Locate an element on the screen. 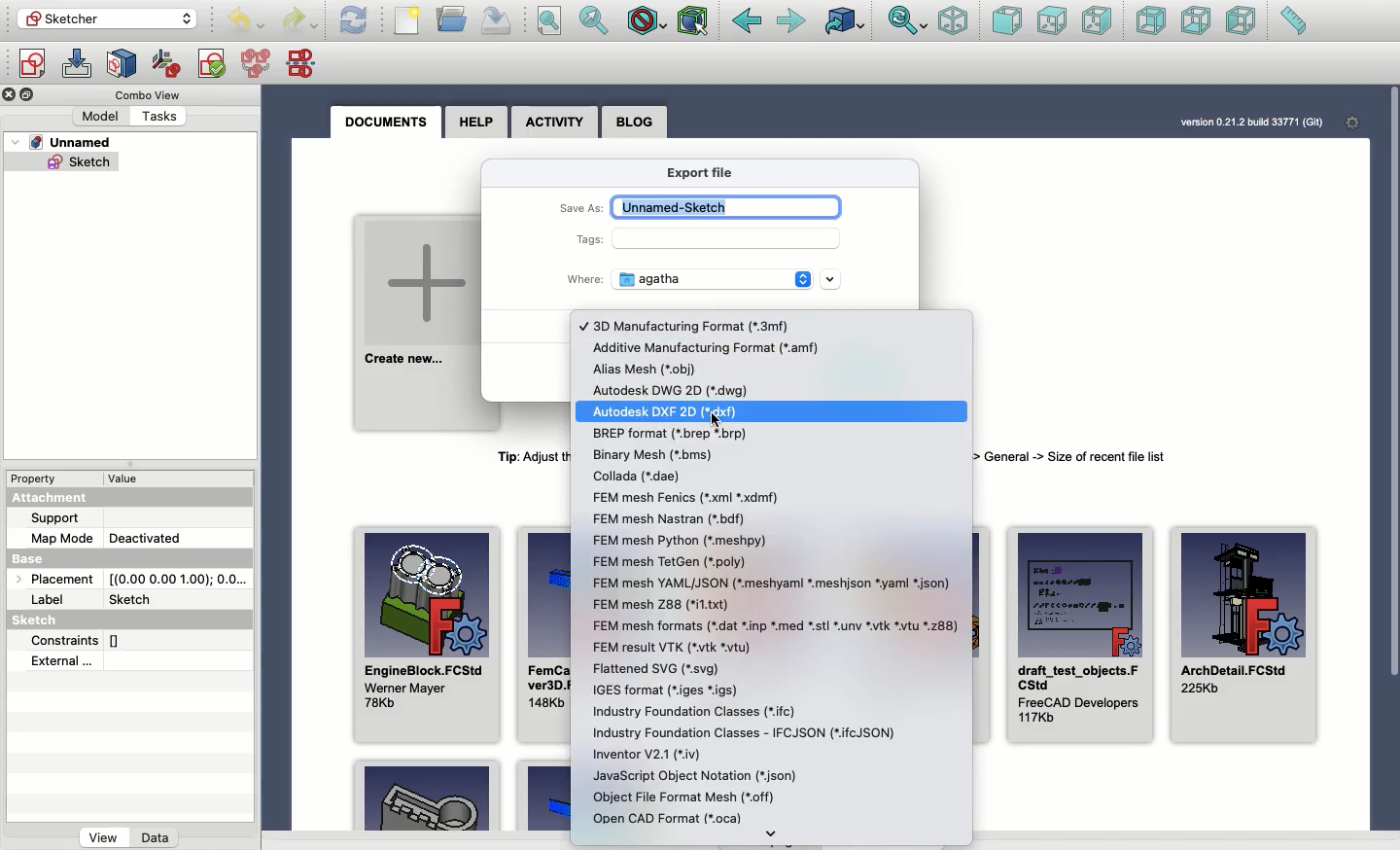 Image resolution: width=1400 pixels, height=850 pixels. Sketch is located at coordinates (58, 620).